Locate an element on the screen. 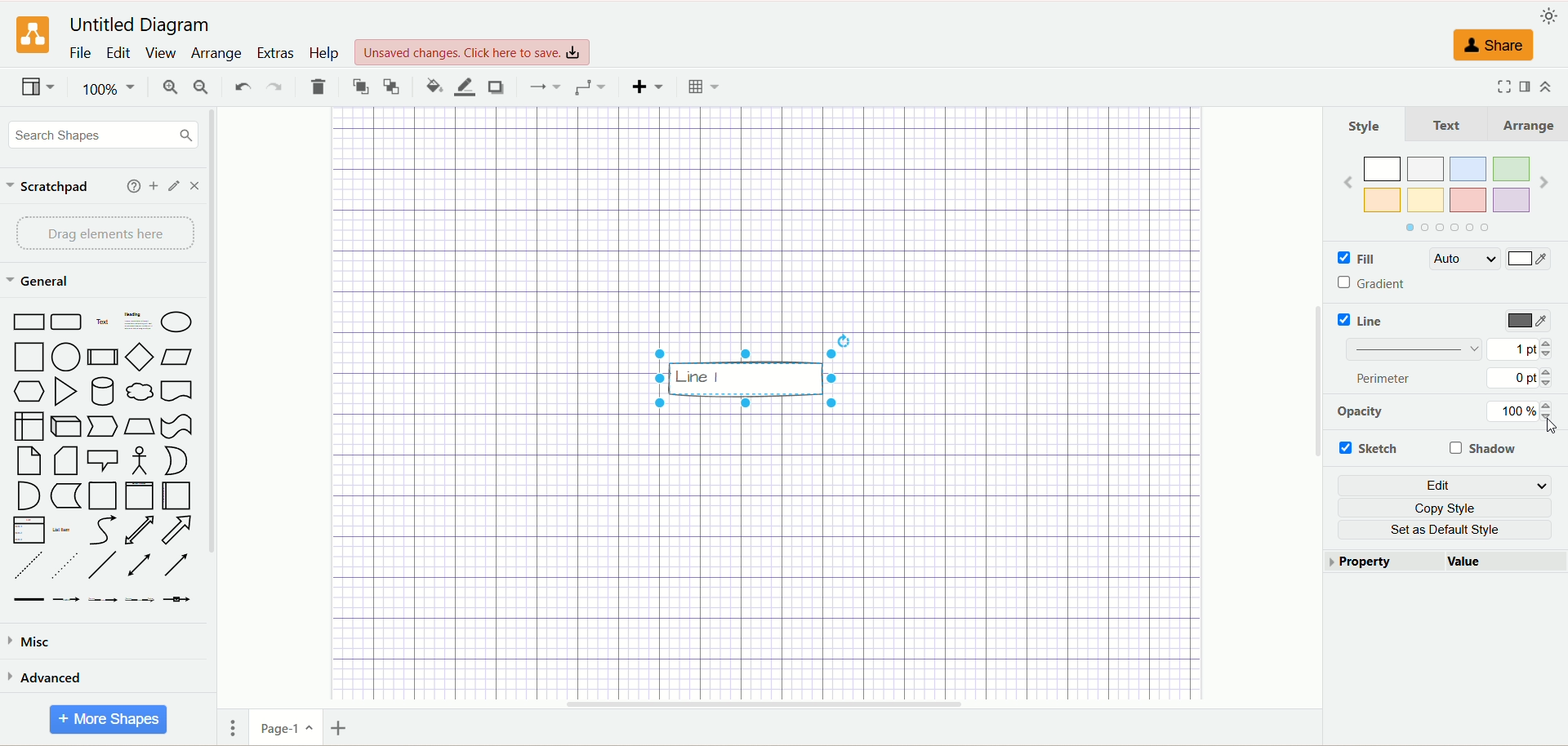 Image resolution: width=1568 pixels, height=746 pixels. vertical scroll bar is located at coordinates (218, 407).